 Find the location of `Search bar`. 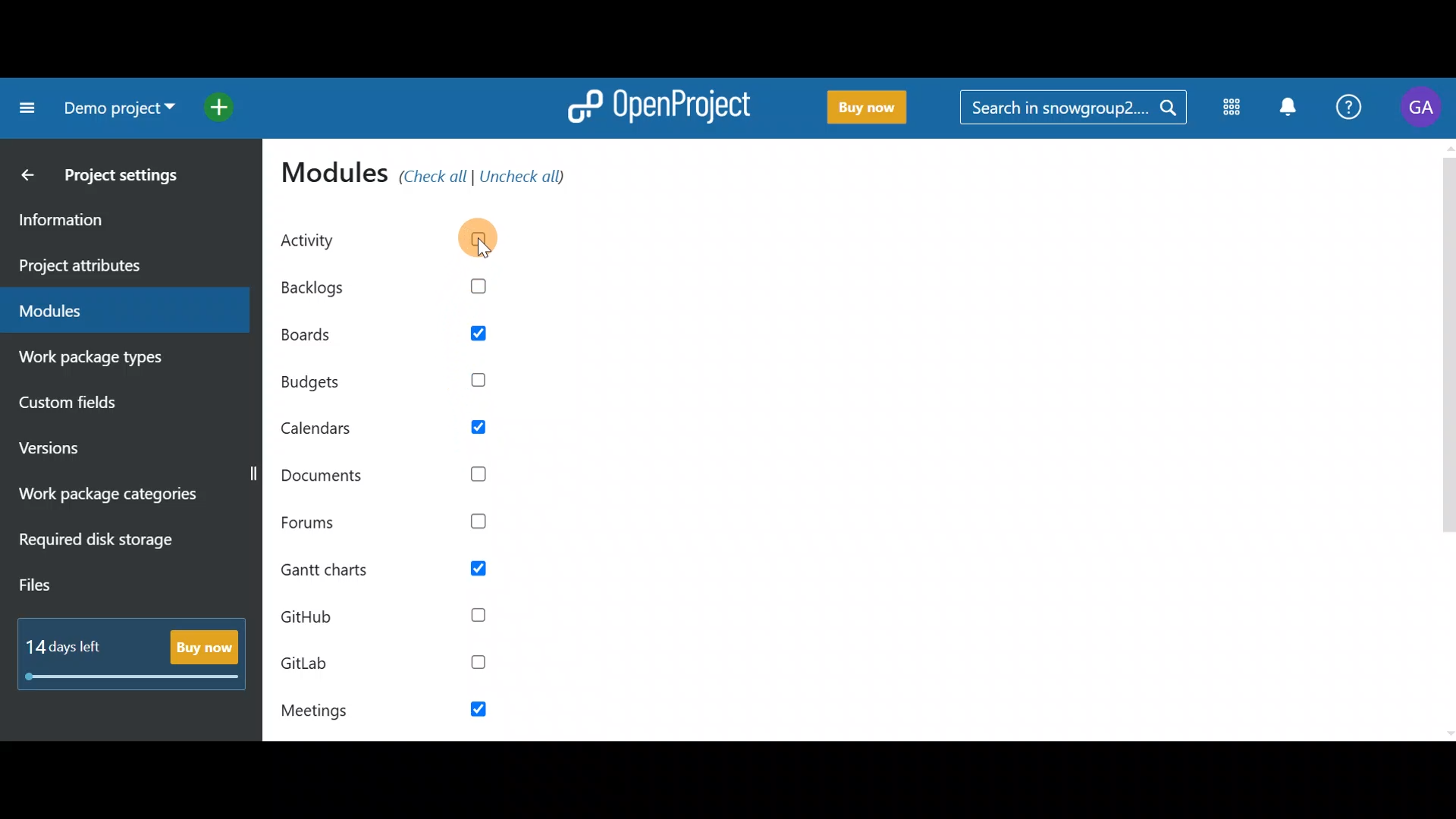

Search bar is located at coordinates (1072, 111).